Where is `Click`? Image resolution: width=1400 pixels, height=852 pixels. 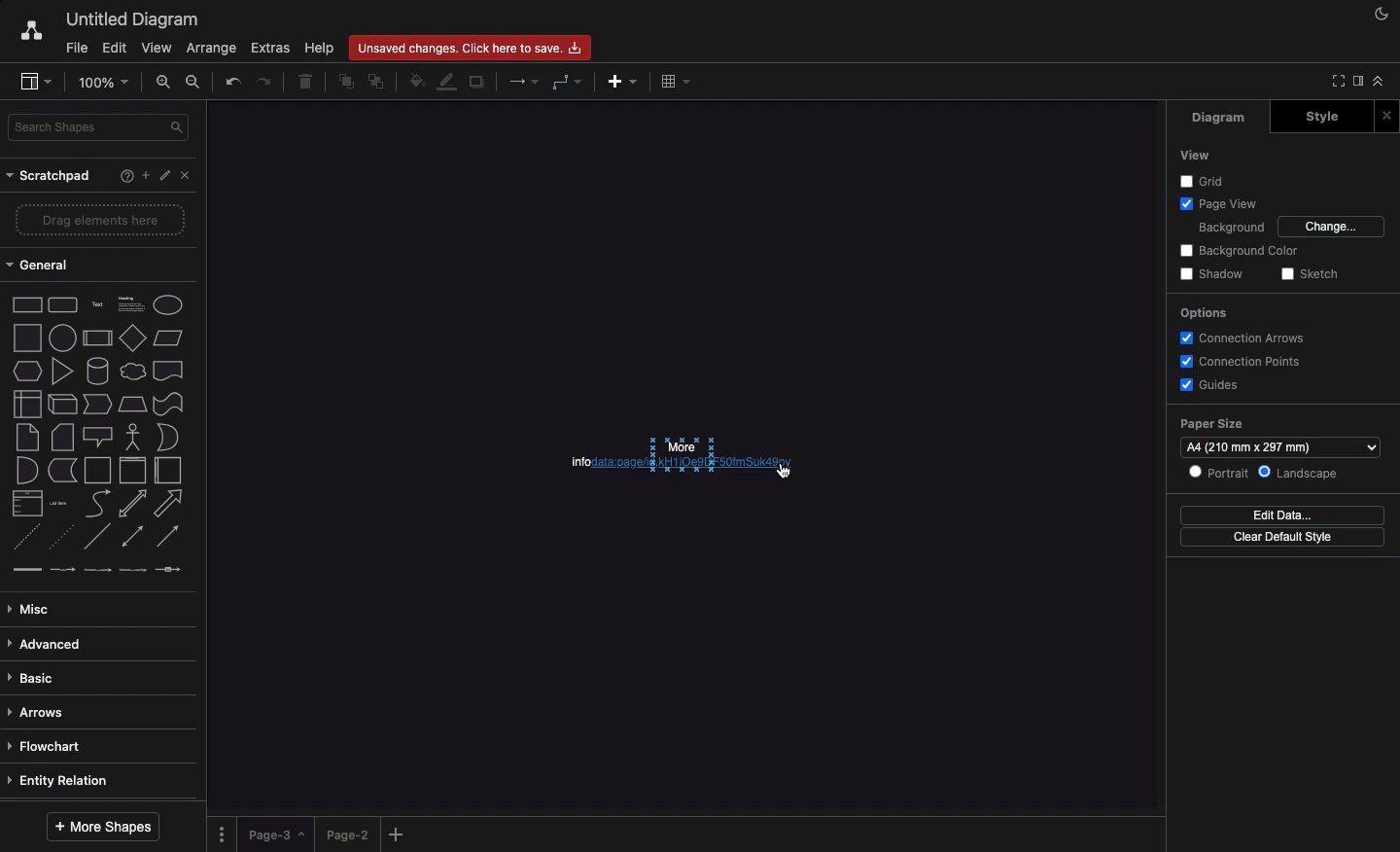
Click is located at coordinates (787, 473).